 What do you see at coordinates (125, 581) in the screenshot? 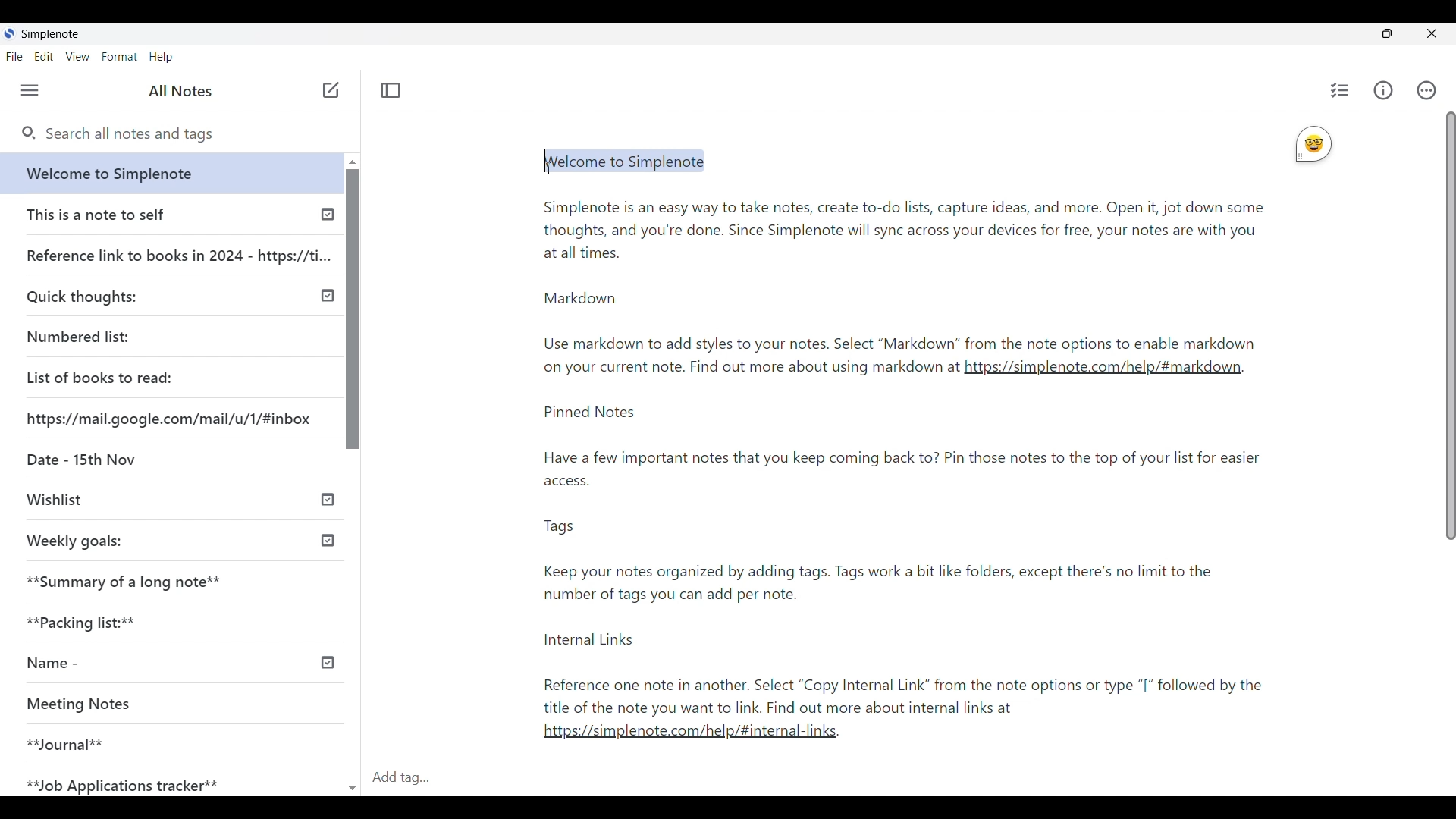
I see `Summary of a long note` at bounding box center [125, 581].